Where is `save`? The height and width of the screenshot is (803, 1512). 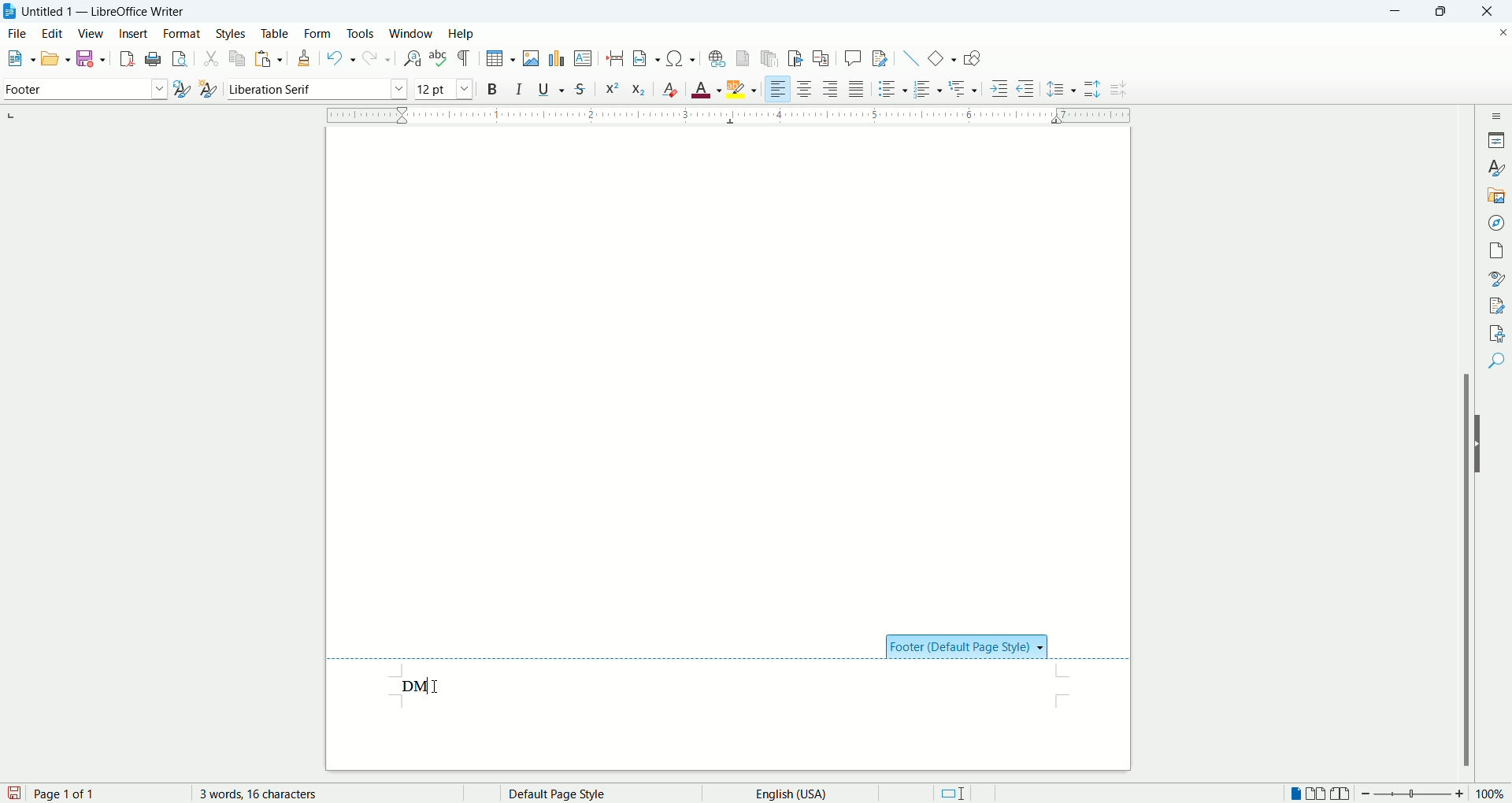 save is located at coordinates (93, 57).